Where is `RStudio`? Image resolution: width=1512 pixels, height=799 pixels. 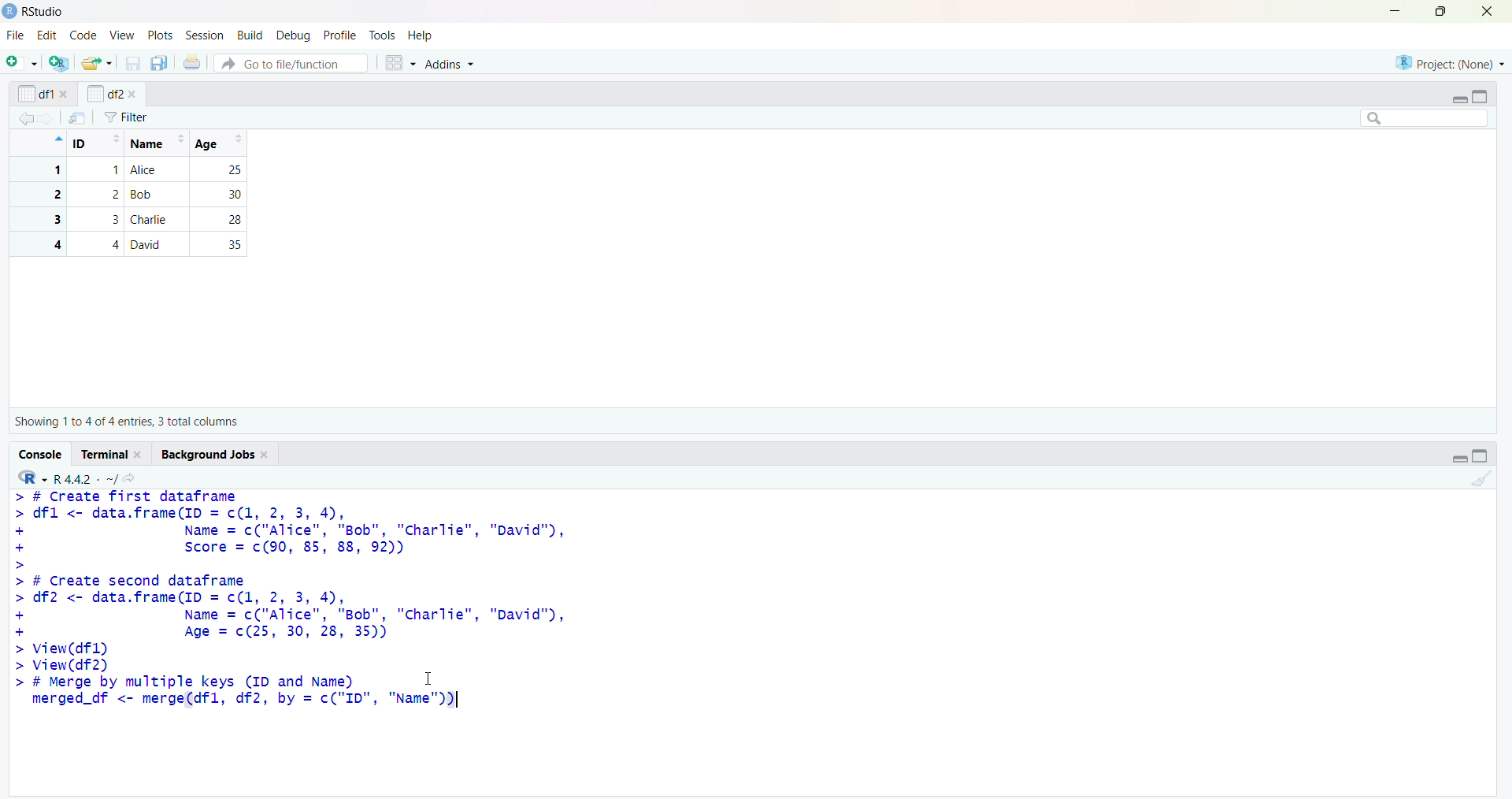
RStudio is located at coordinates (45, 12).